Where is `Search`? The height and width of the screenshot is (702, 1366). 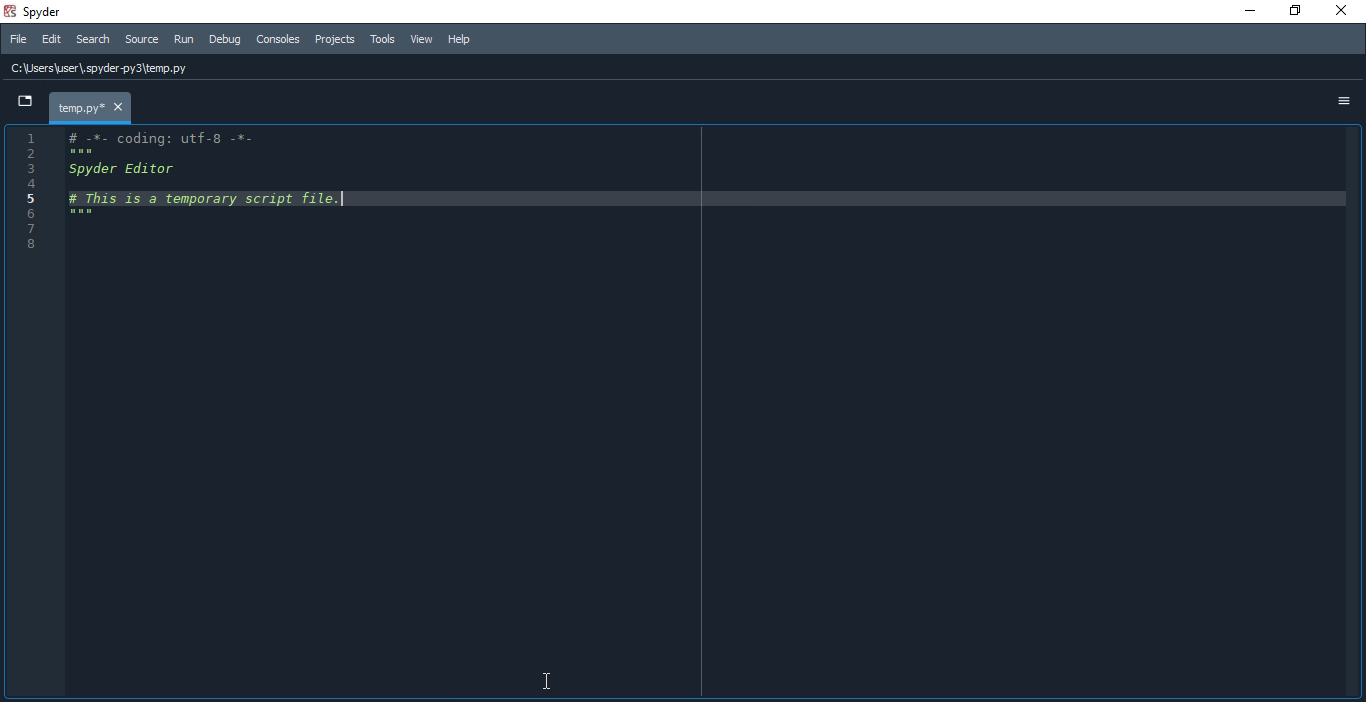 Search is located at coordinates (94, 42).